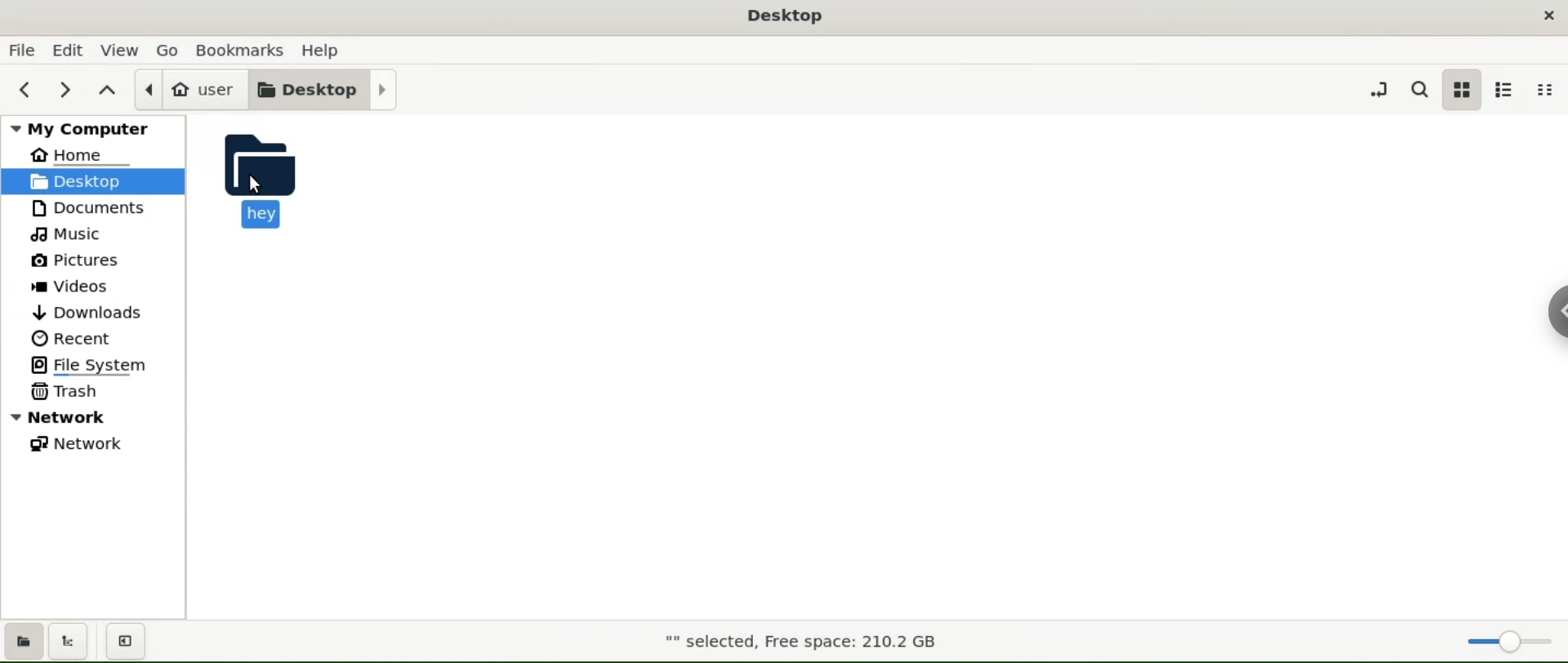 The height and width of the screenshot is (663, 1568). What do you see at coordinates (95, 155) in the screenshot?
I see `home` at bounding box center [95, 155].